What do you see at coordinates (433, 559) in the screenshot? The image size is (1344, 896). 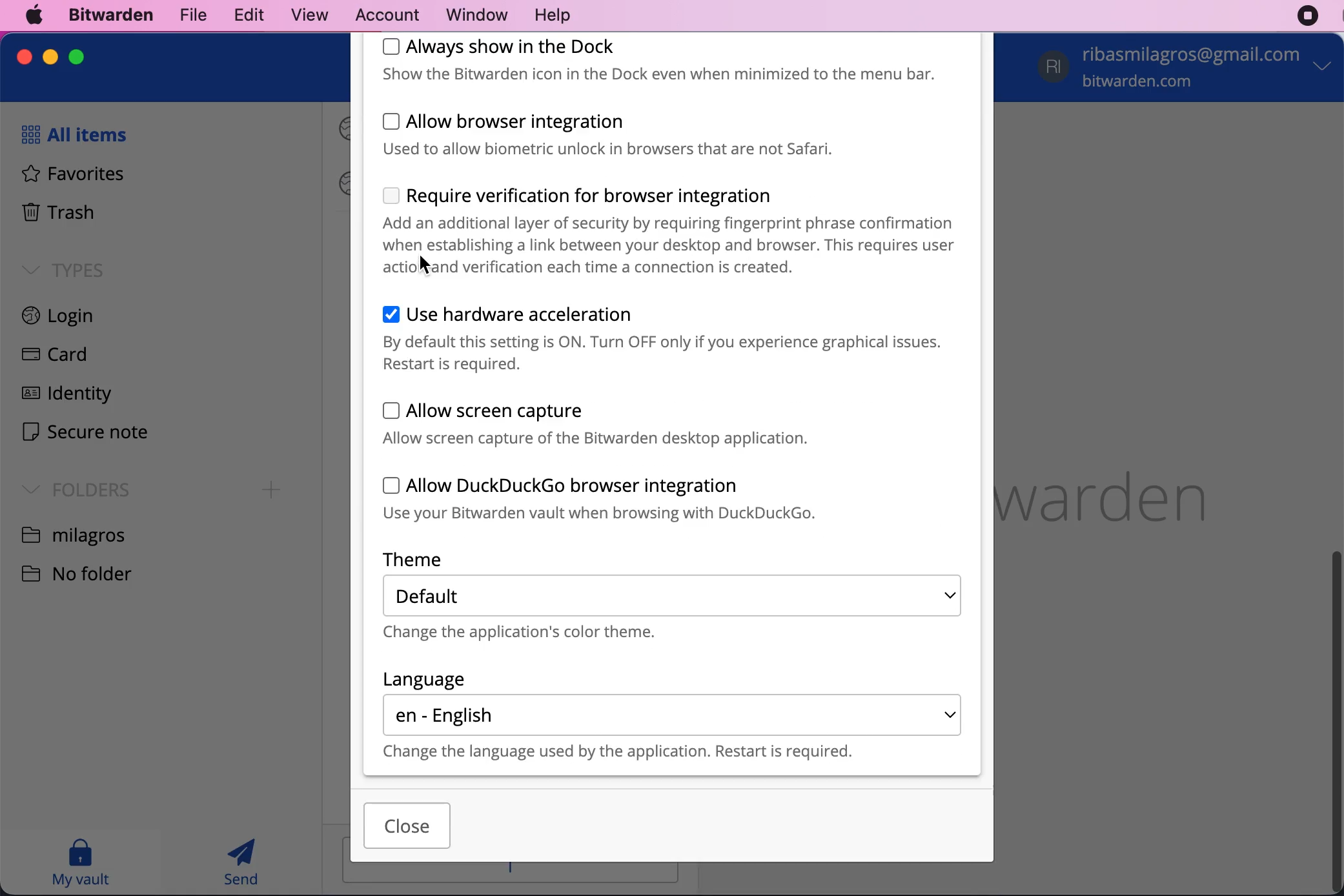 I see `theme` at bounding box center [433, 559].